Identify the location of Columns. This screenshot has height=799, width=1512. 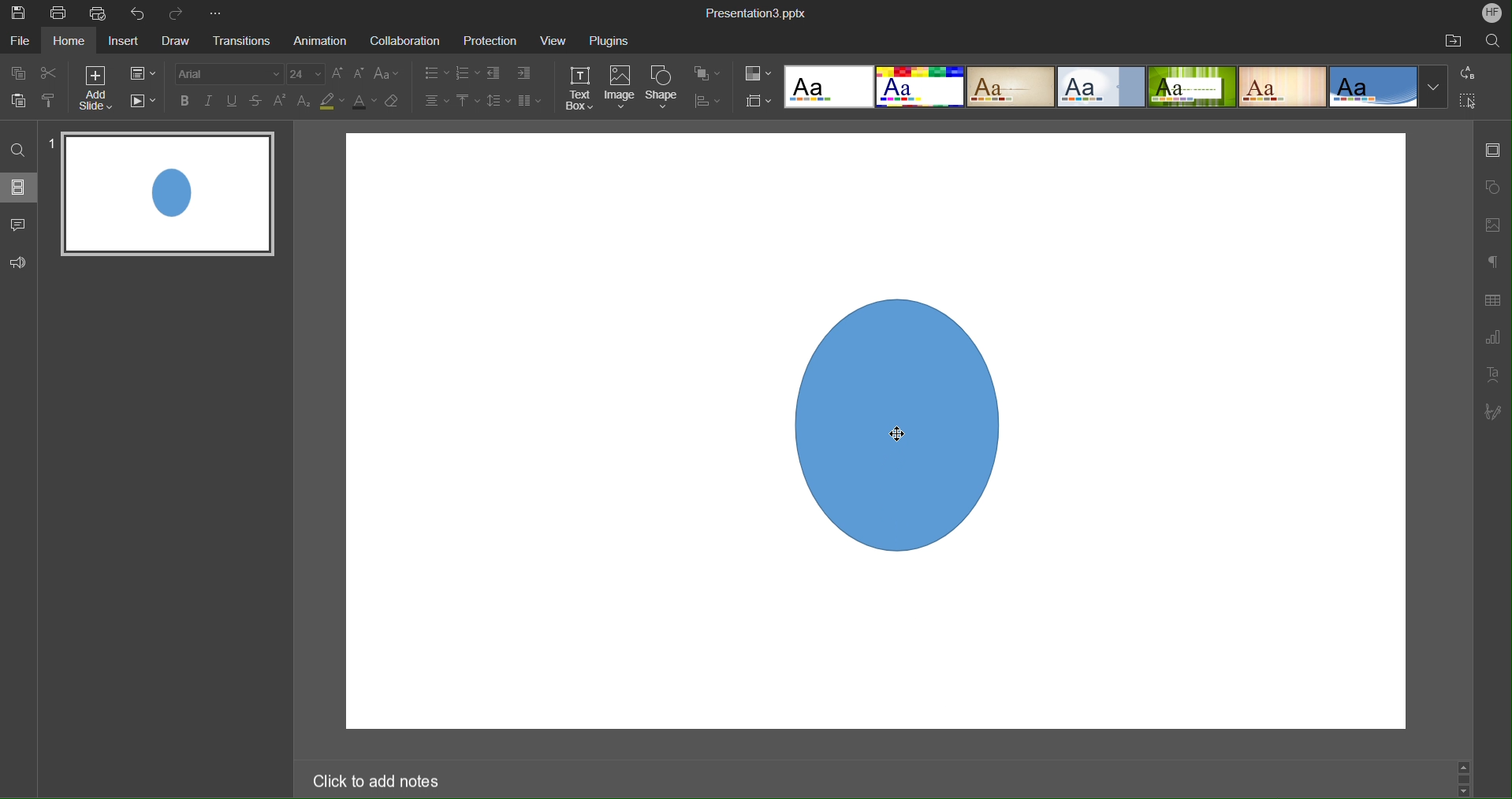
(531, 102).